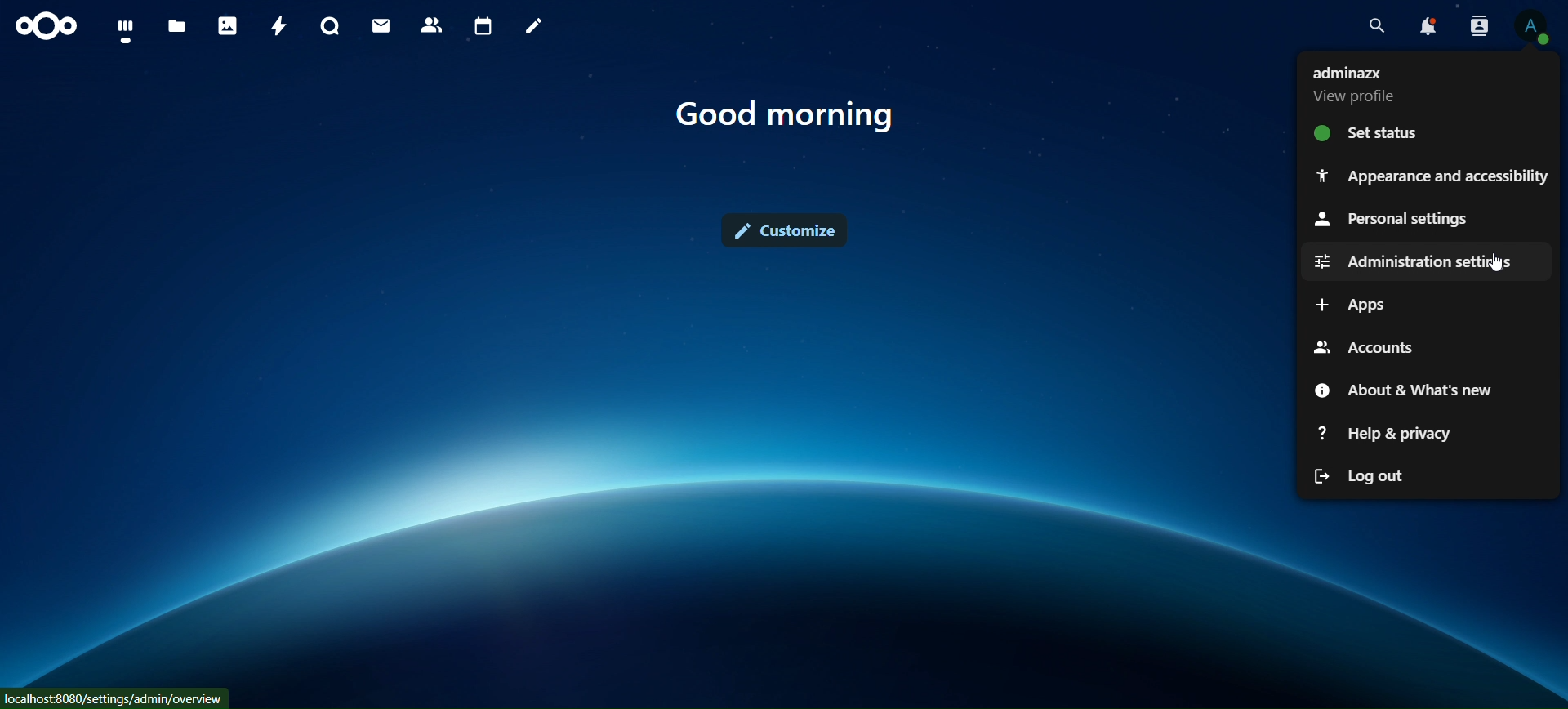 Image resolution: width=1568 pixels, height=709 pixels. What do you see at coordinates (481, 26) in the screenshot?
I see `calendar` at bounding box center [481, 26].